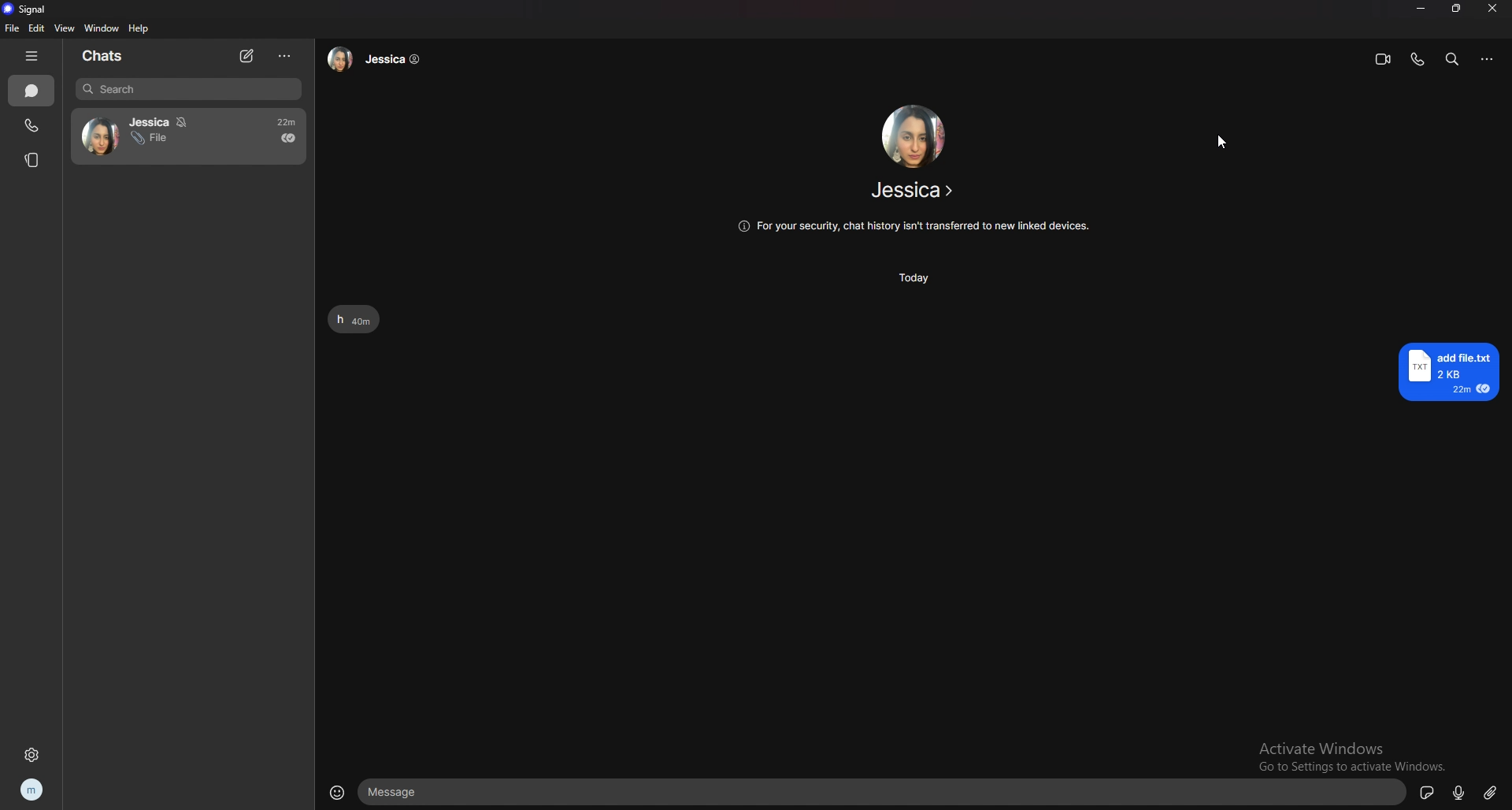  I want to click on (@ For your security, chat history isn't transferred to new linked devices., so click(915, 225).